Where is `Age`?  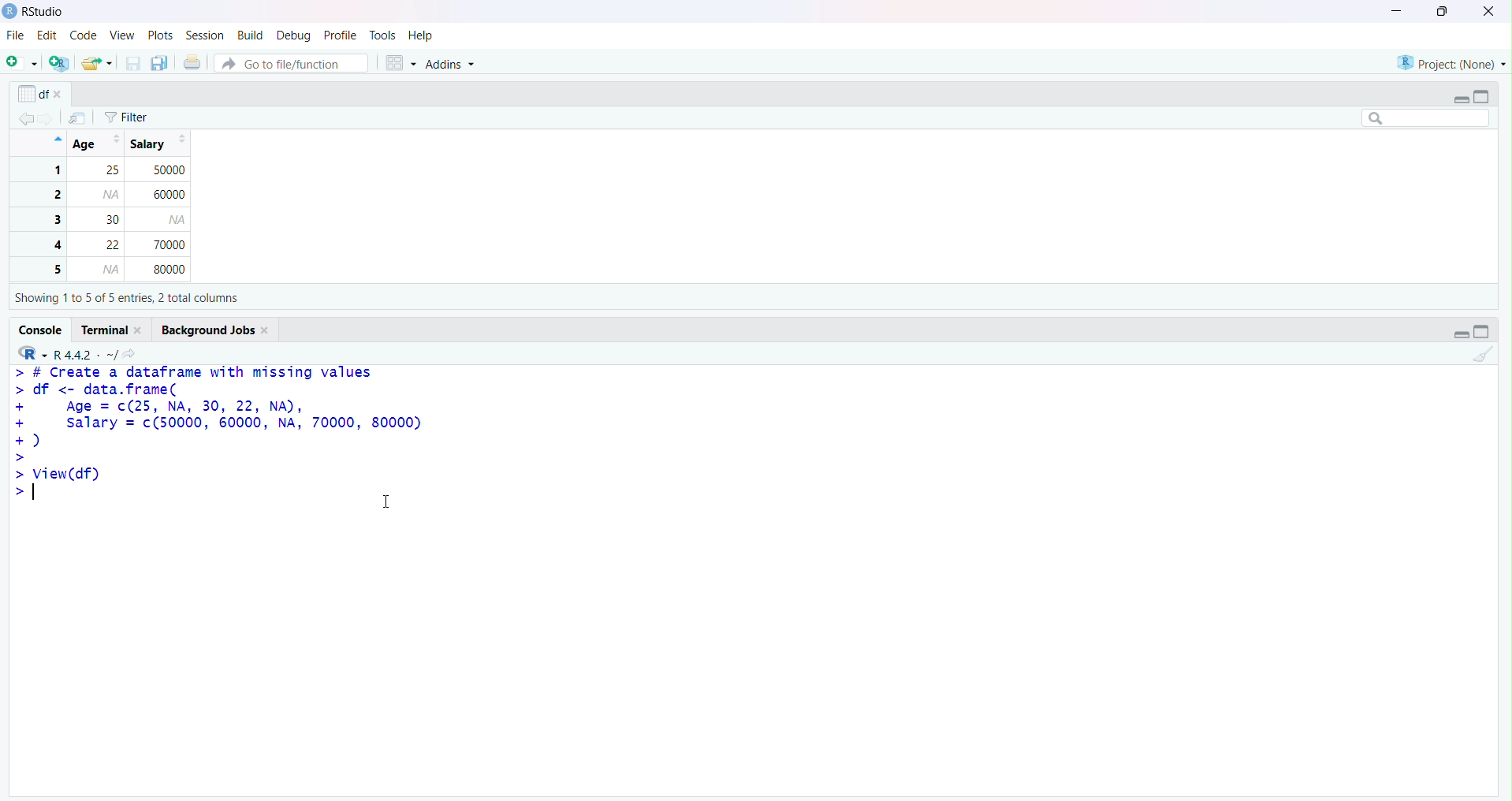
Age is located at coordinates (96, 144).